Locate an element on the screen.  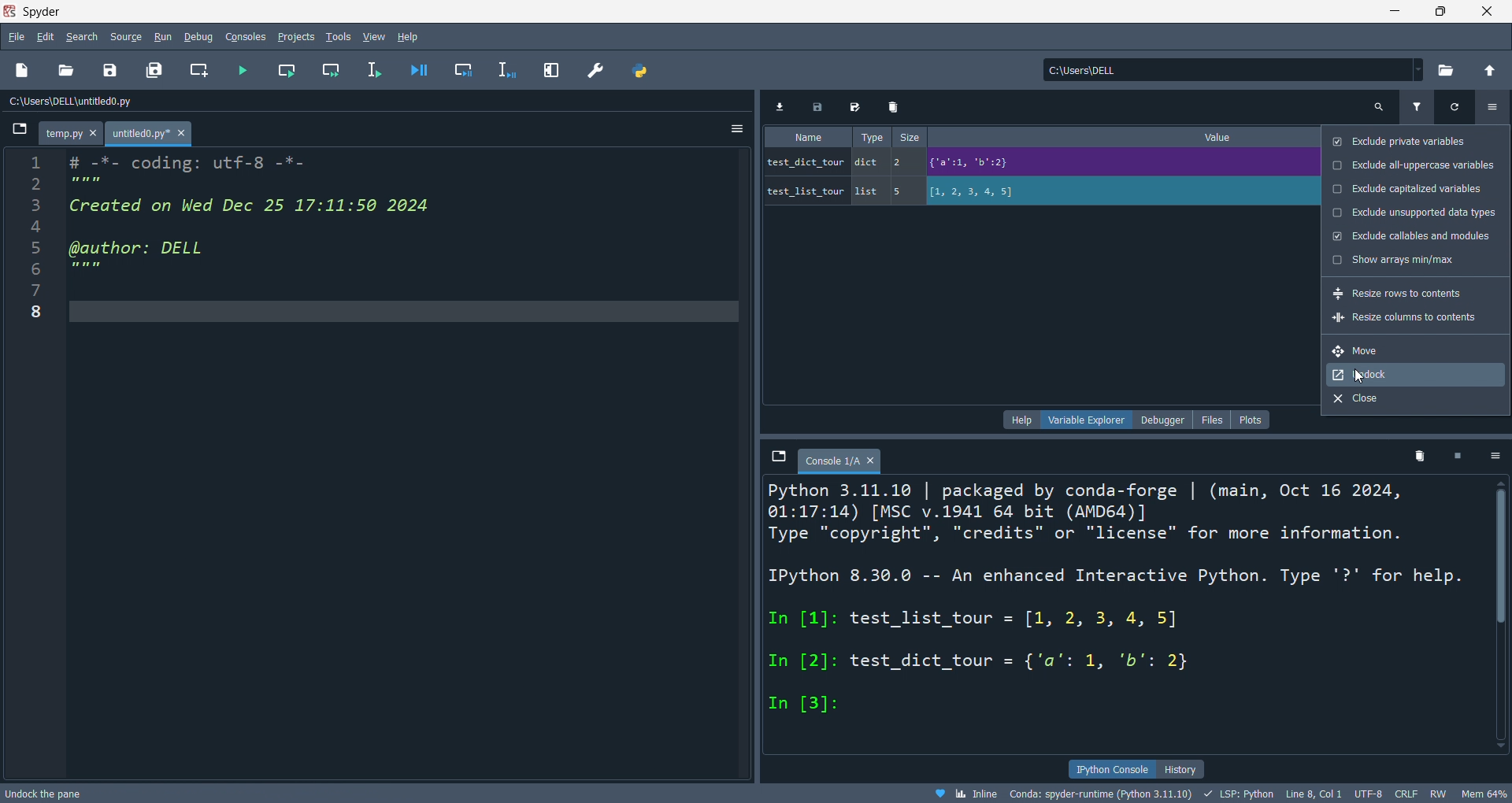
ipython console is located at coordinates (1110, 767).